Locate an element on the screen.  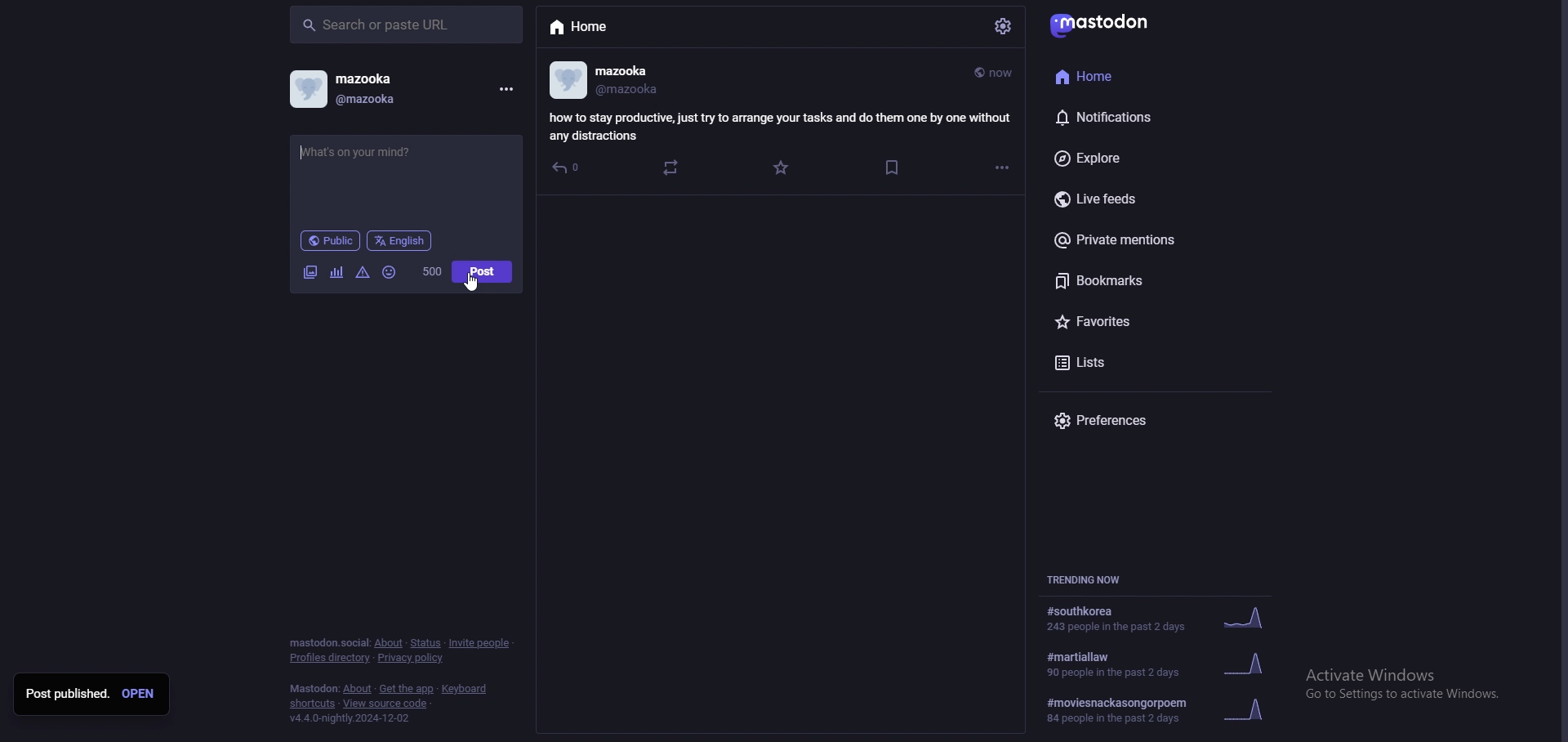
@mazooka is located at coordinates (633, 90).